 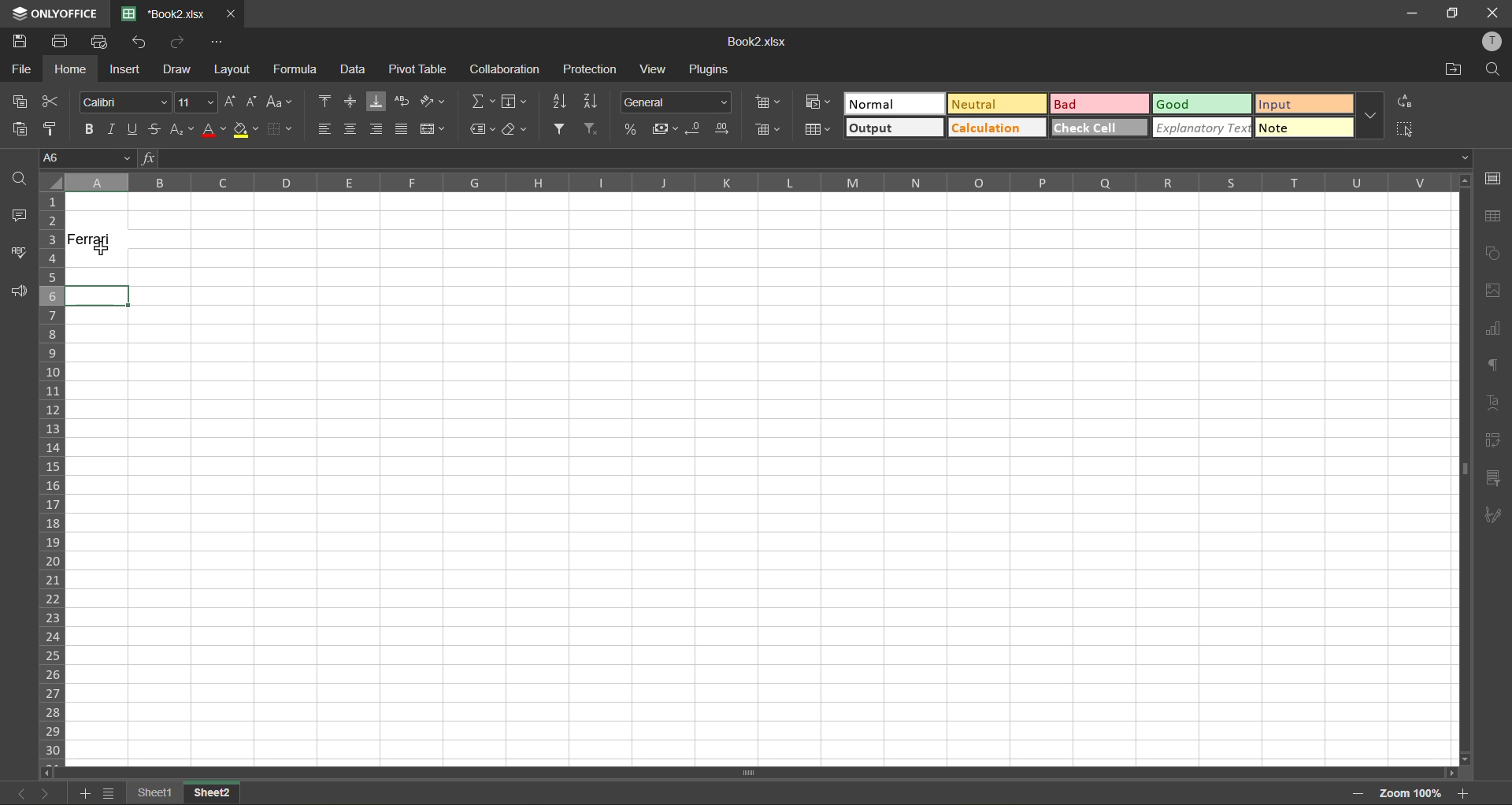 I want to click on cut, so click(x=53, y=101).